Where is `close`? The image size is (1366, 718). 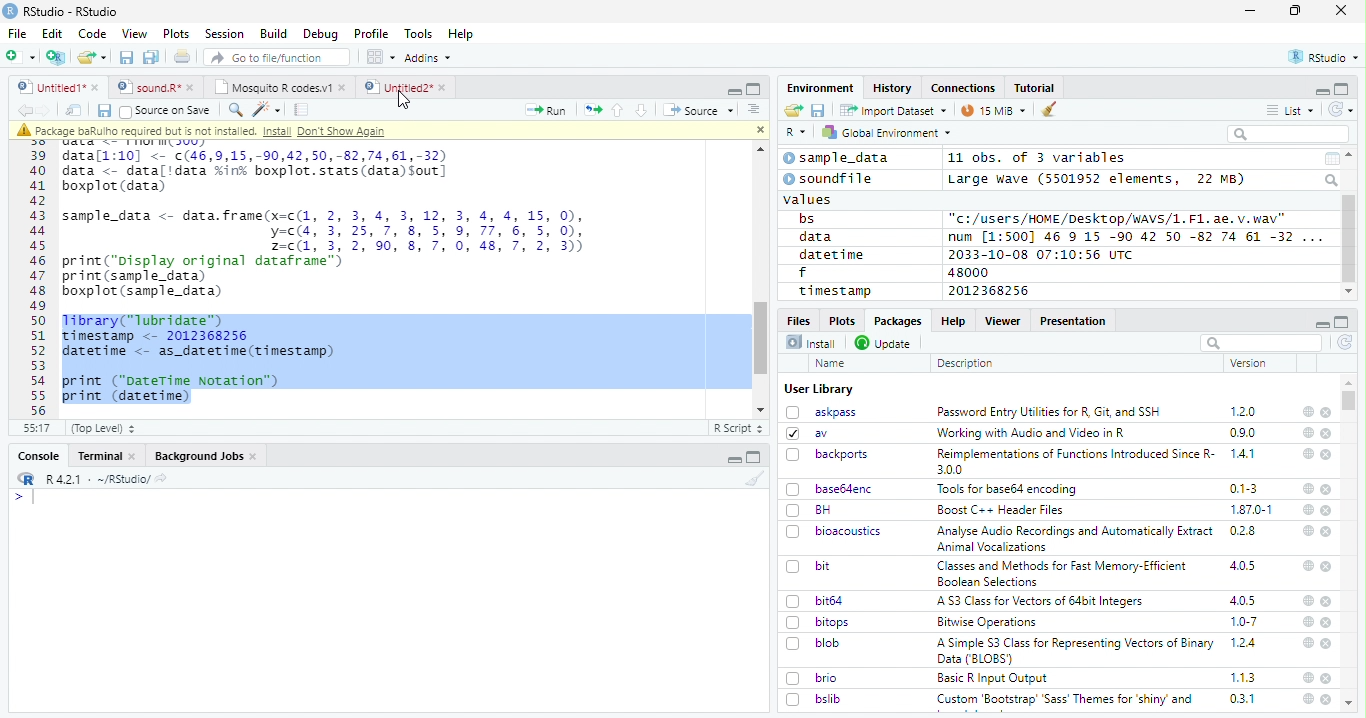 close is located at coordinates (1327, 434).